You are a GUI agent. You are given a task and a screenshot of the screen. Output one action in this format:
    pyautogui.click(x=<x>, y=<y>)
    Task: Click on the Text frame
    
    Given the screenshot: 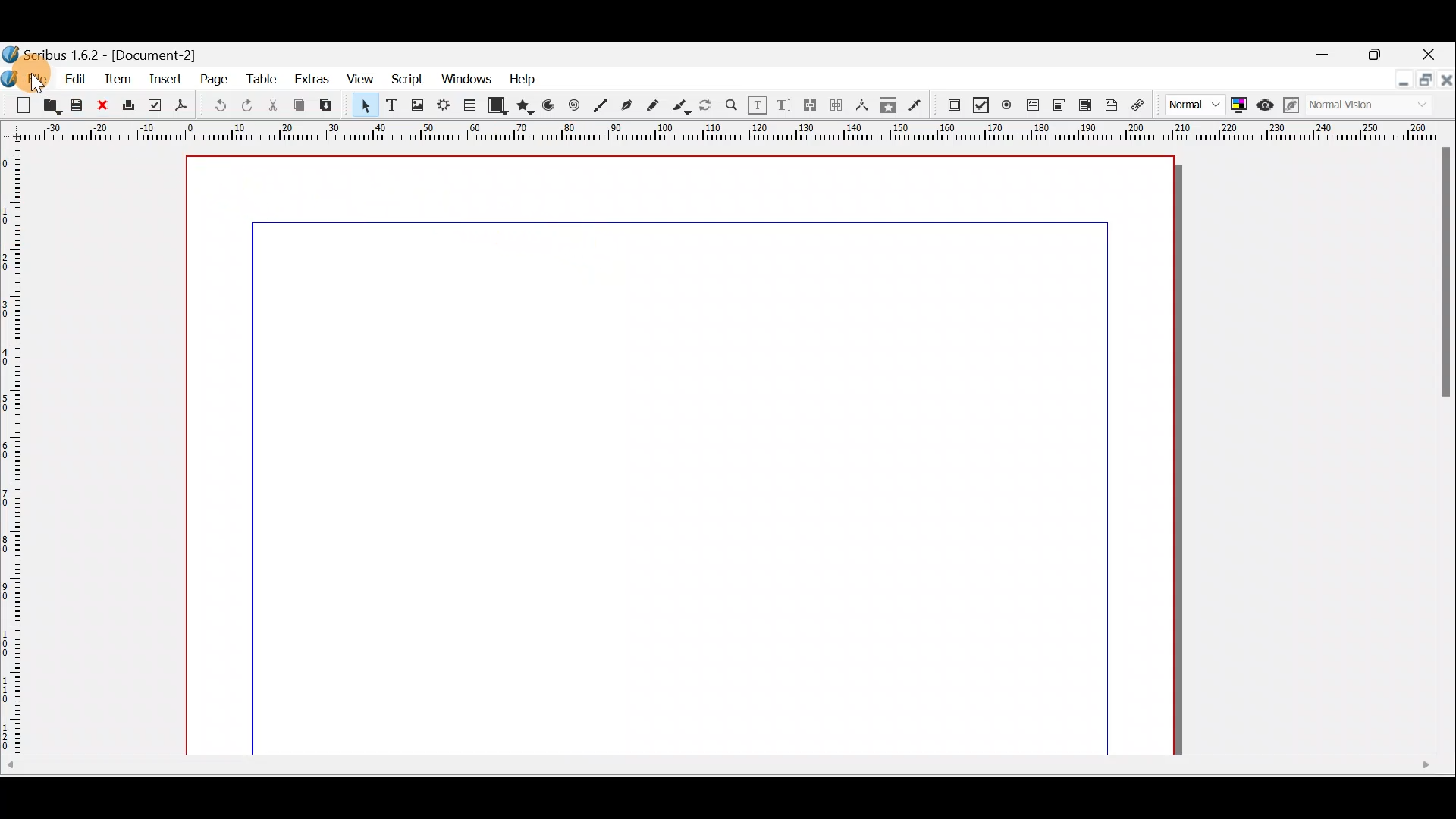 What is the action you would take?
    pyautogui.click(x=392, y=108)
    